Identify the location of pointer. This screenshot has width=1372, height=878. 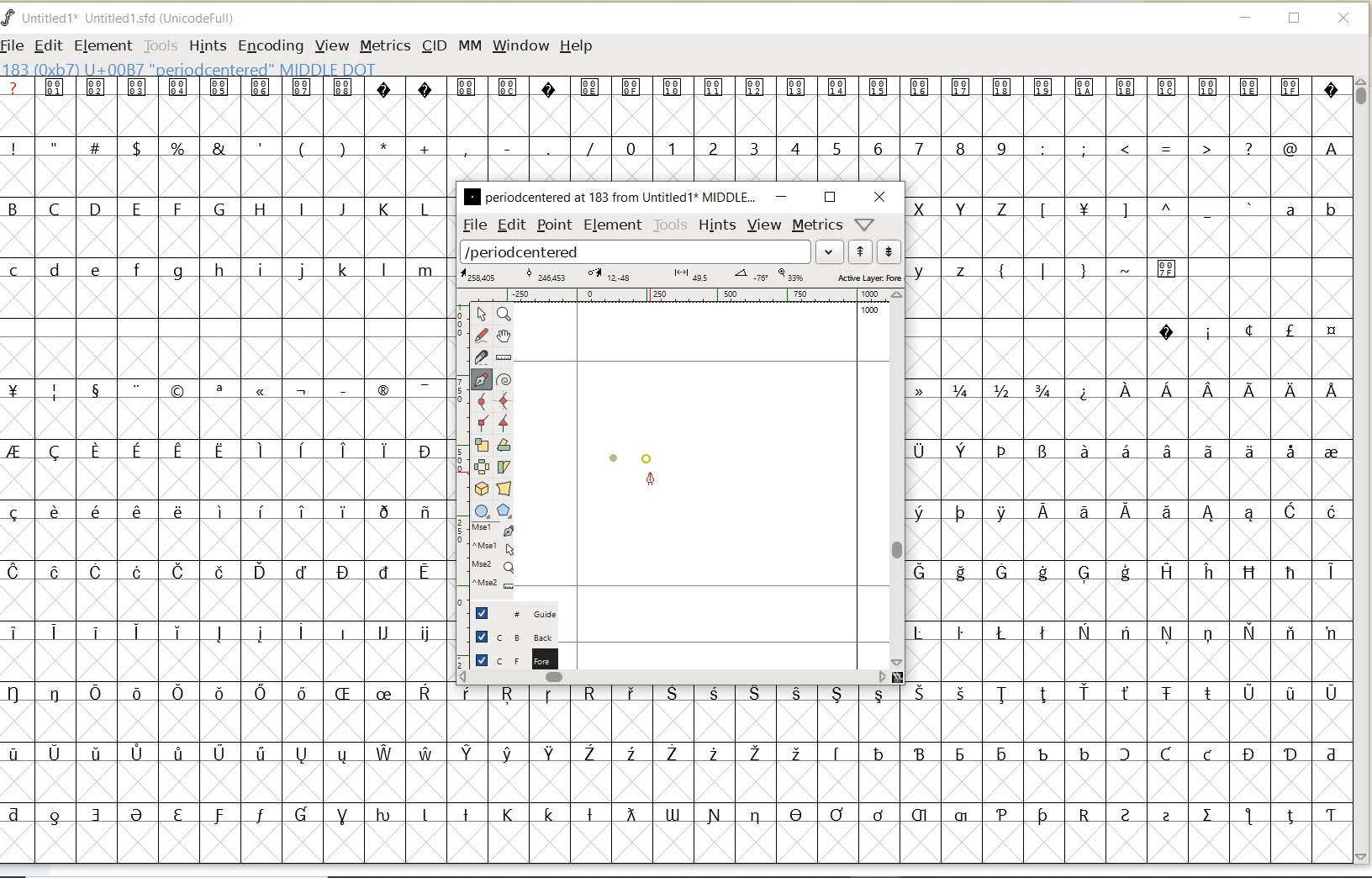
(481, 315).